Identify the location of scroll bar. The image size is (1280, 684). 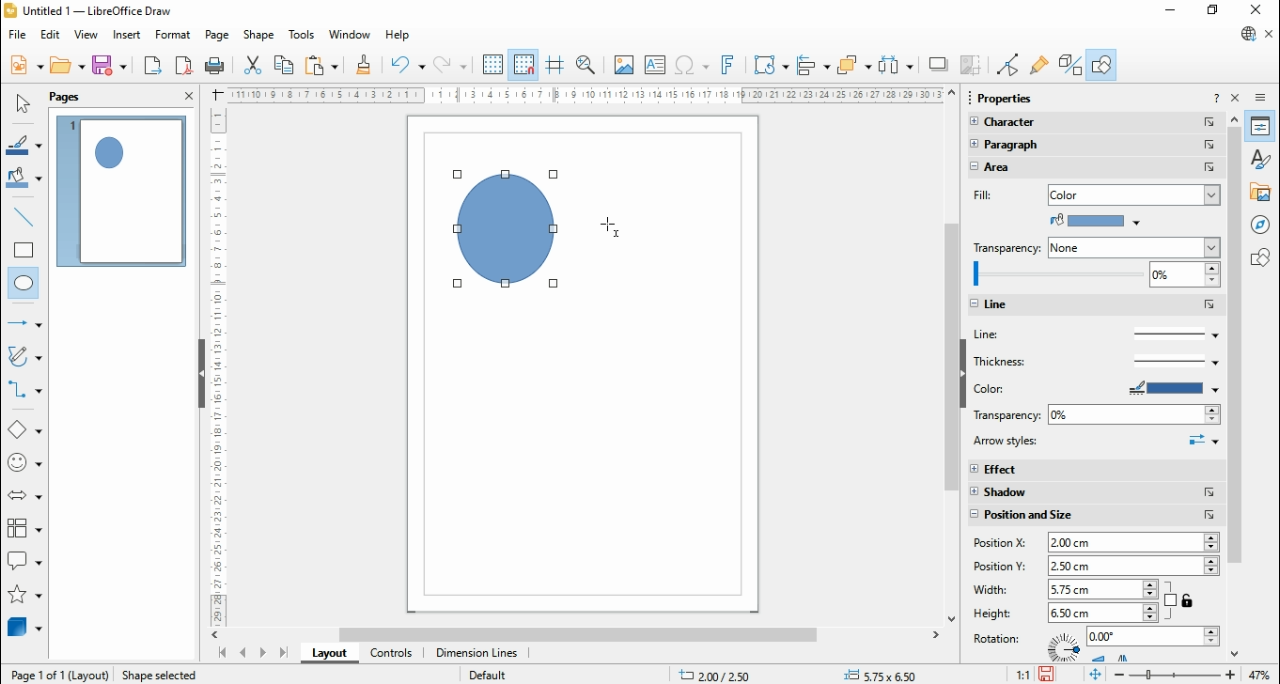
(582, 634).